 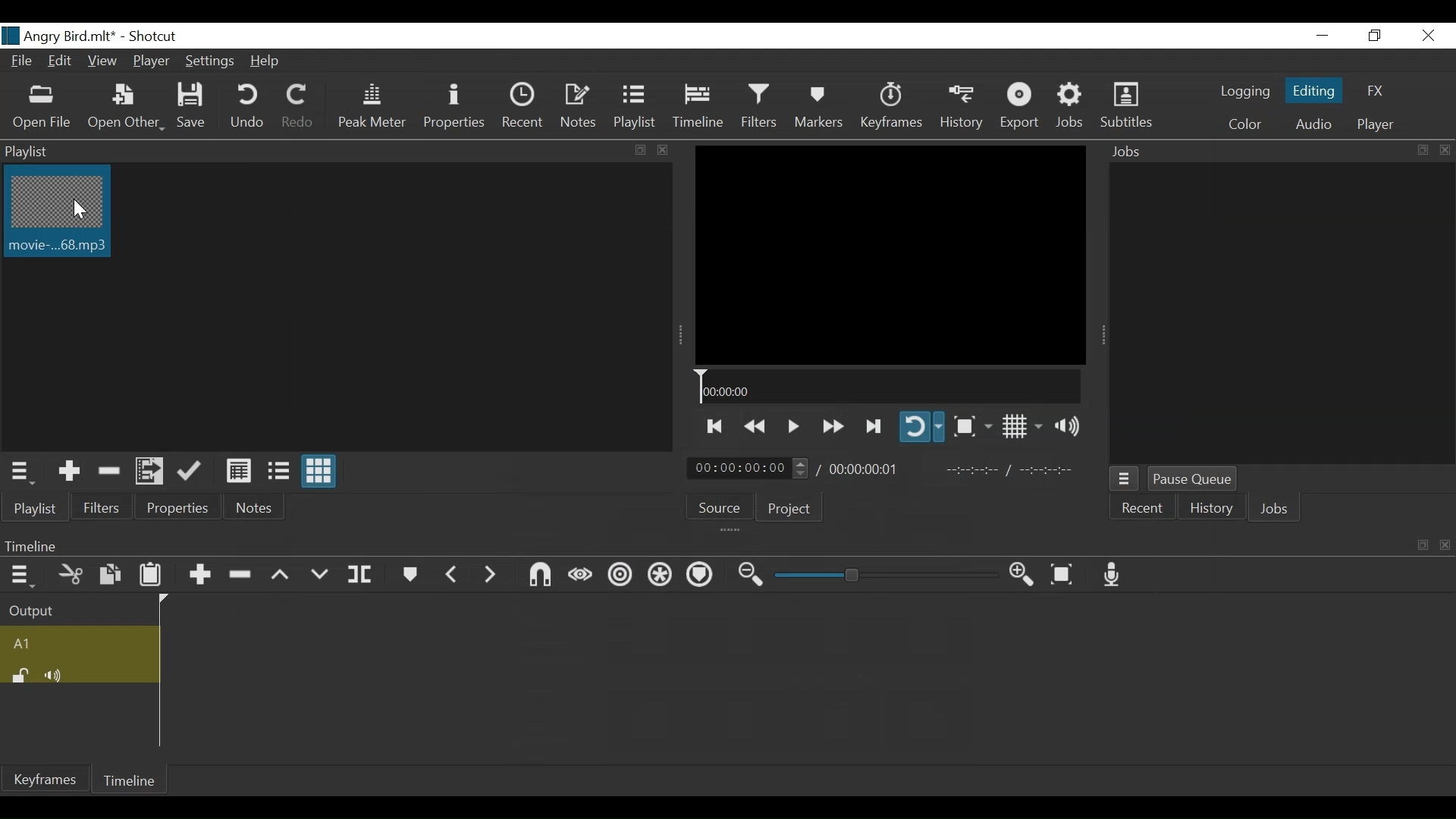 What do you see at coordinates (1064, 574) in the screenshot?
I see `Zoom to fit` at bounding box center [1064, 574].